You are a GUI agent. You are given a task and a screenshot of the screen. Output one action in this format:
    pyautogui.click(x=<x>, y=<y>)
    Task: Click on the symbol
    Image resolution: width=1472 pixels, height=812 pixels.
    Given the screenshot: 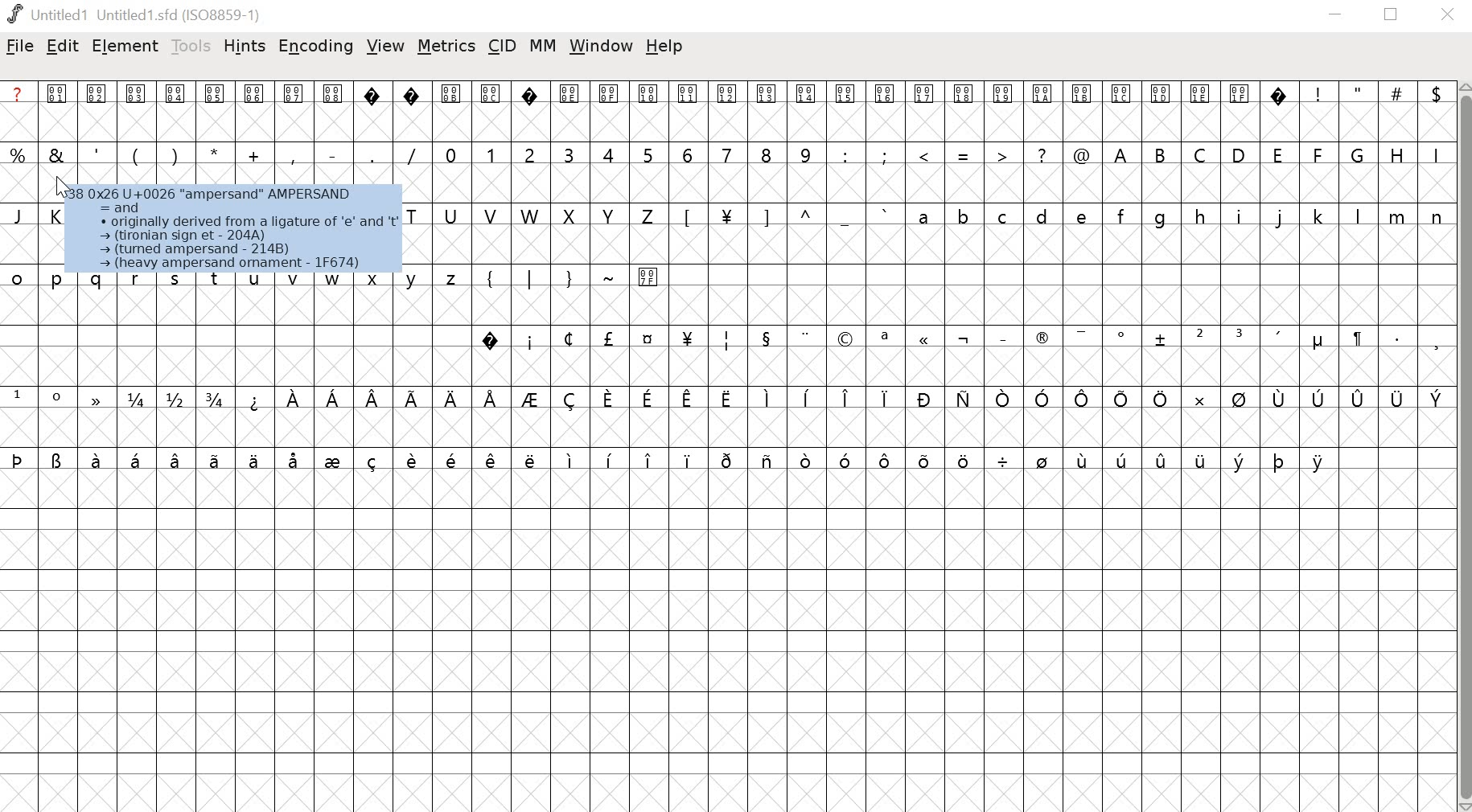 What is the action you would take?
    pyautogui.click(x=965, y=459)
    